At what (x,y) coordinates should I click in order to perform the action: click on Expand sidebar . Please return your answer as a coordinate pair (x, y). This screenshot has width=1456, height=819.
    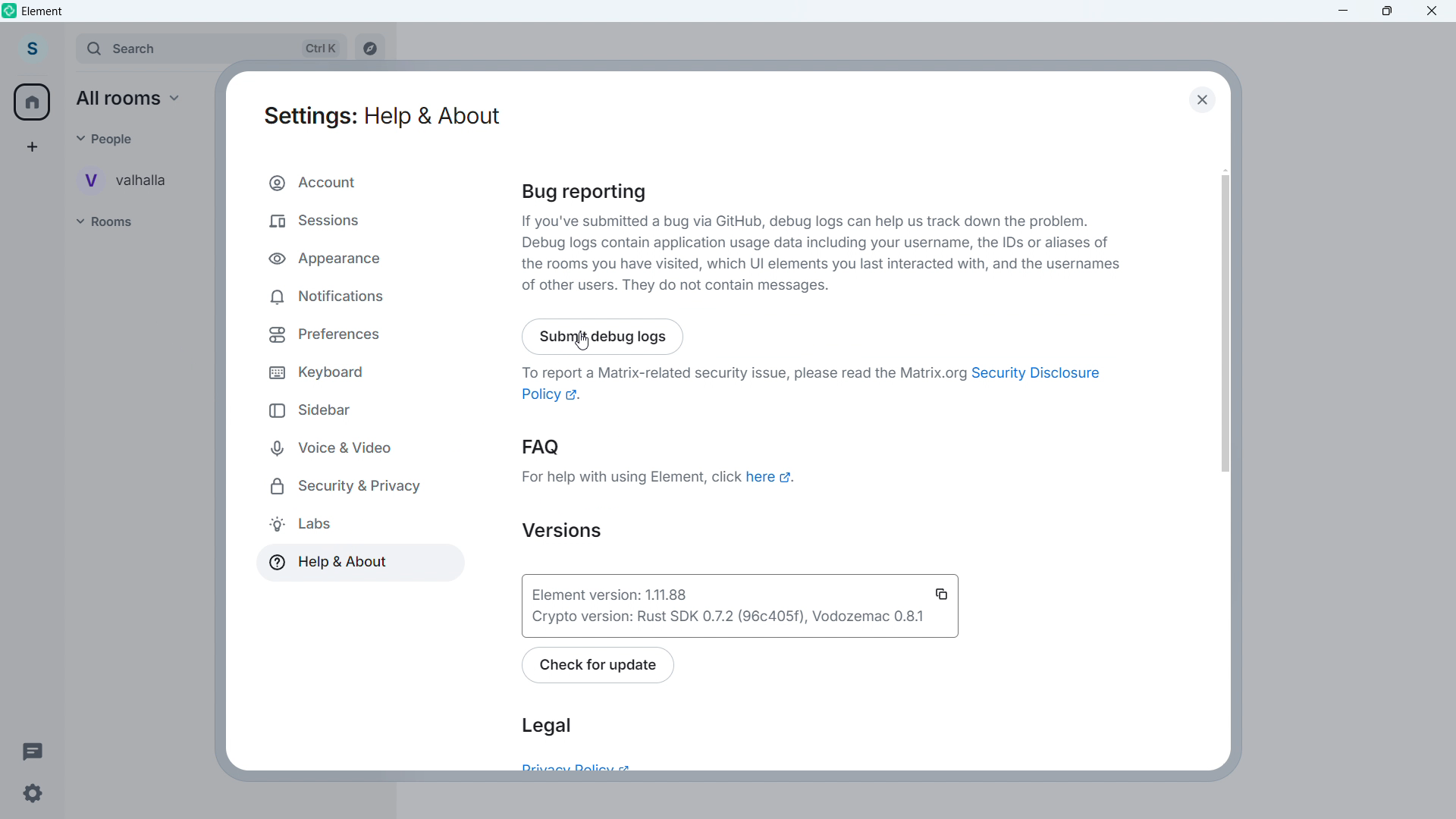
    Looking at the image, I should click on (64, 50).